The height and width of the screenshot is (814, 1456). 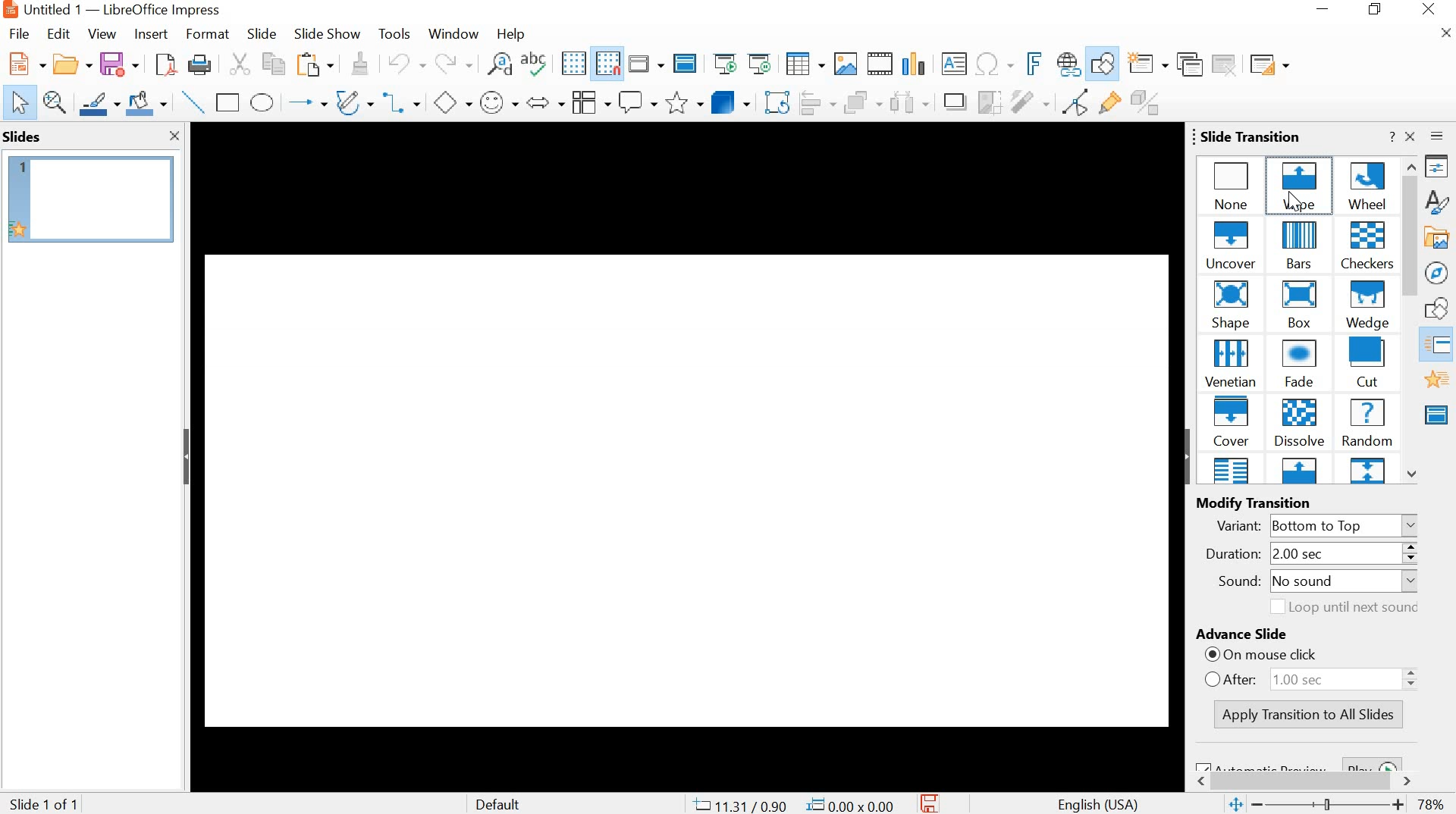 What do you see at coordinates (23, 136) in the screenshot?
I see `SLIDES` at bounding box center [23, 136].